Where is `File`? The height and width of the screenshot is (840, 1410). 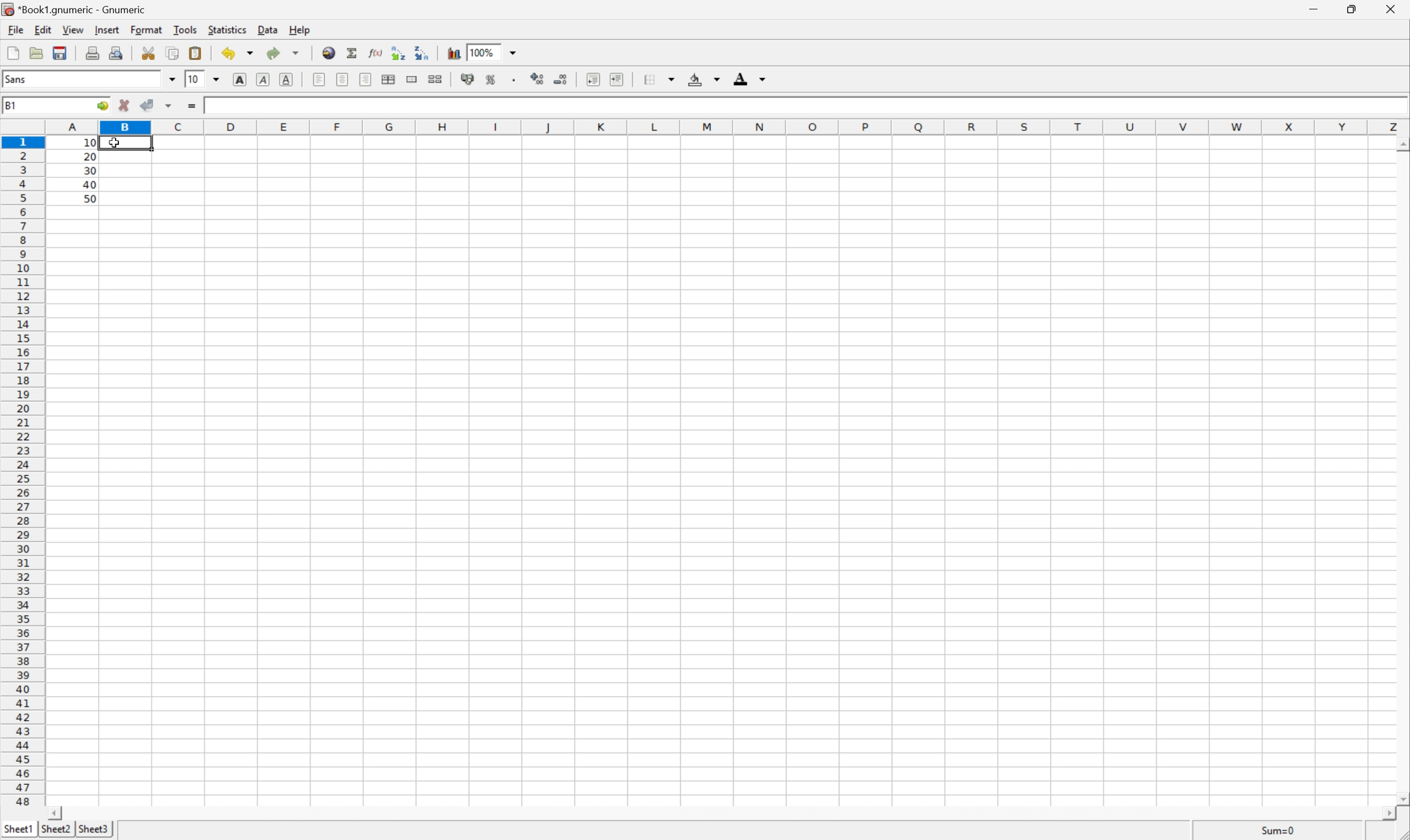
File is located at coordinates (15, 30).